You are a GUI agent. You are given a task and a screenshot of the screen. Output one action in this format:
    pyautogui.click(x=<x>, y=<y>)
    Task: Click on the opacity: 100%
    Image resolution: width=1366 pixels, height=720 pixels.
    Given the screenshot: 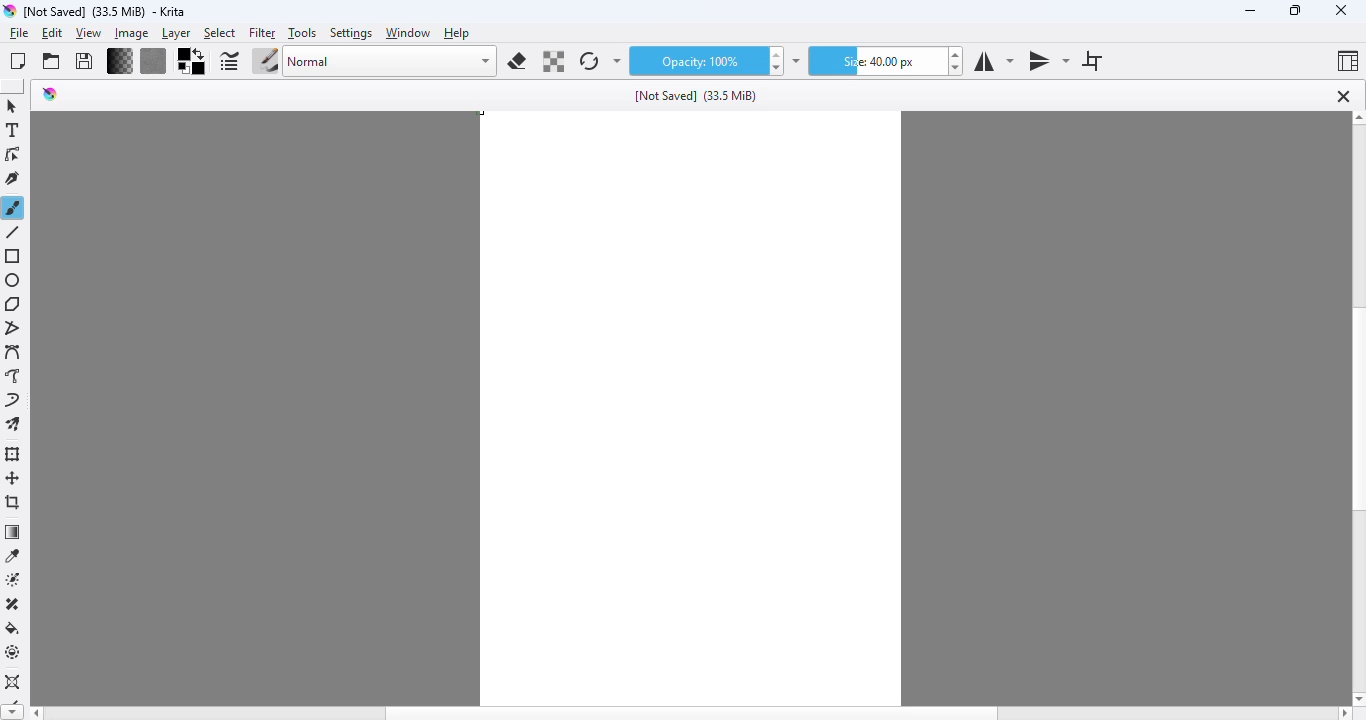 What is the action you would take?
    pyautogui.click(x=698, y=61)
    